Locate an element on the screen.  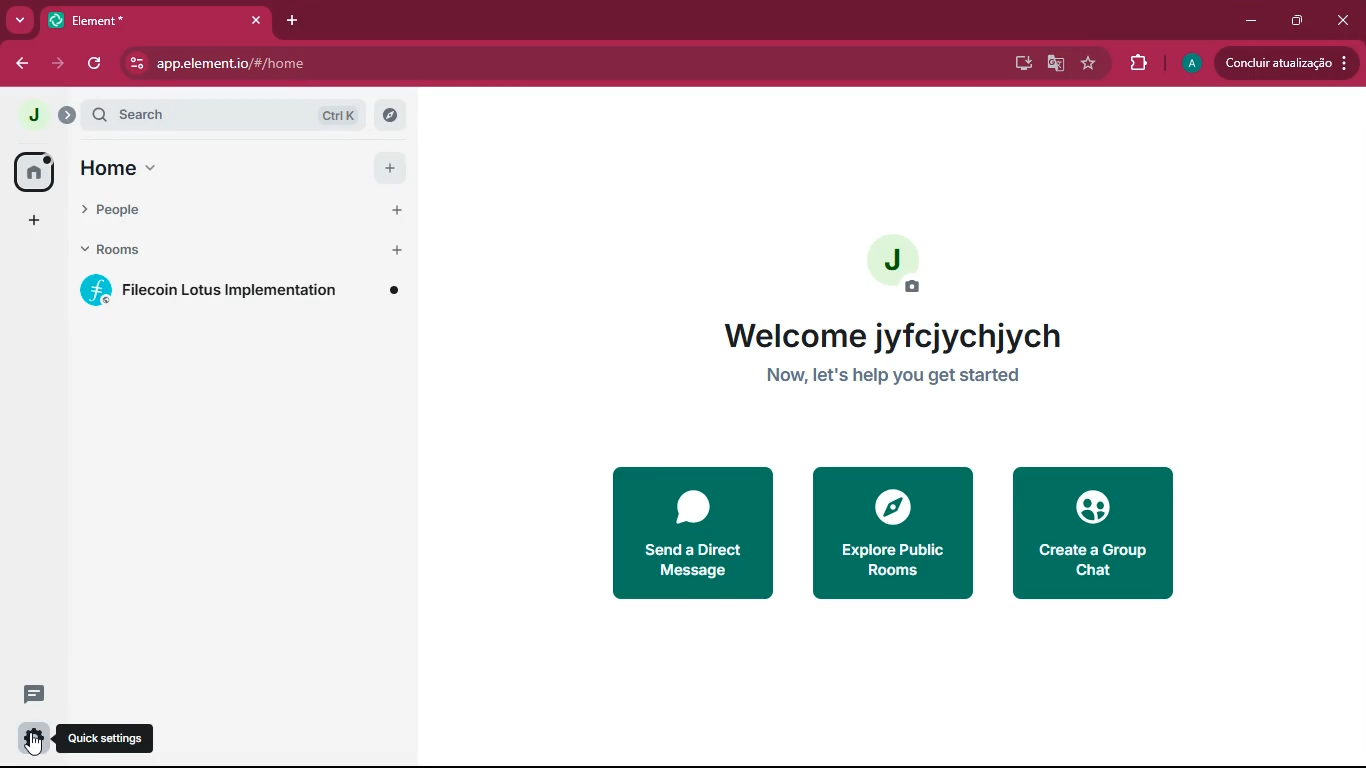
maximize is located at coordinates (1295, 20).